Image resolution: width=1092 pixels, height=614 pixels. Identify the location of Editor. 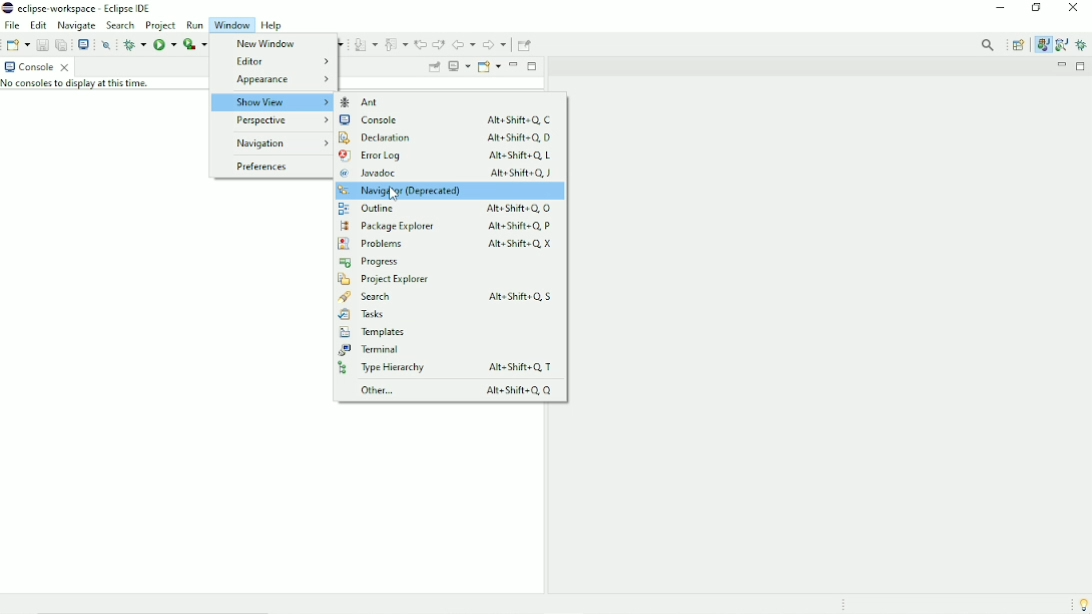
(280, 62).